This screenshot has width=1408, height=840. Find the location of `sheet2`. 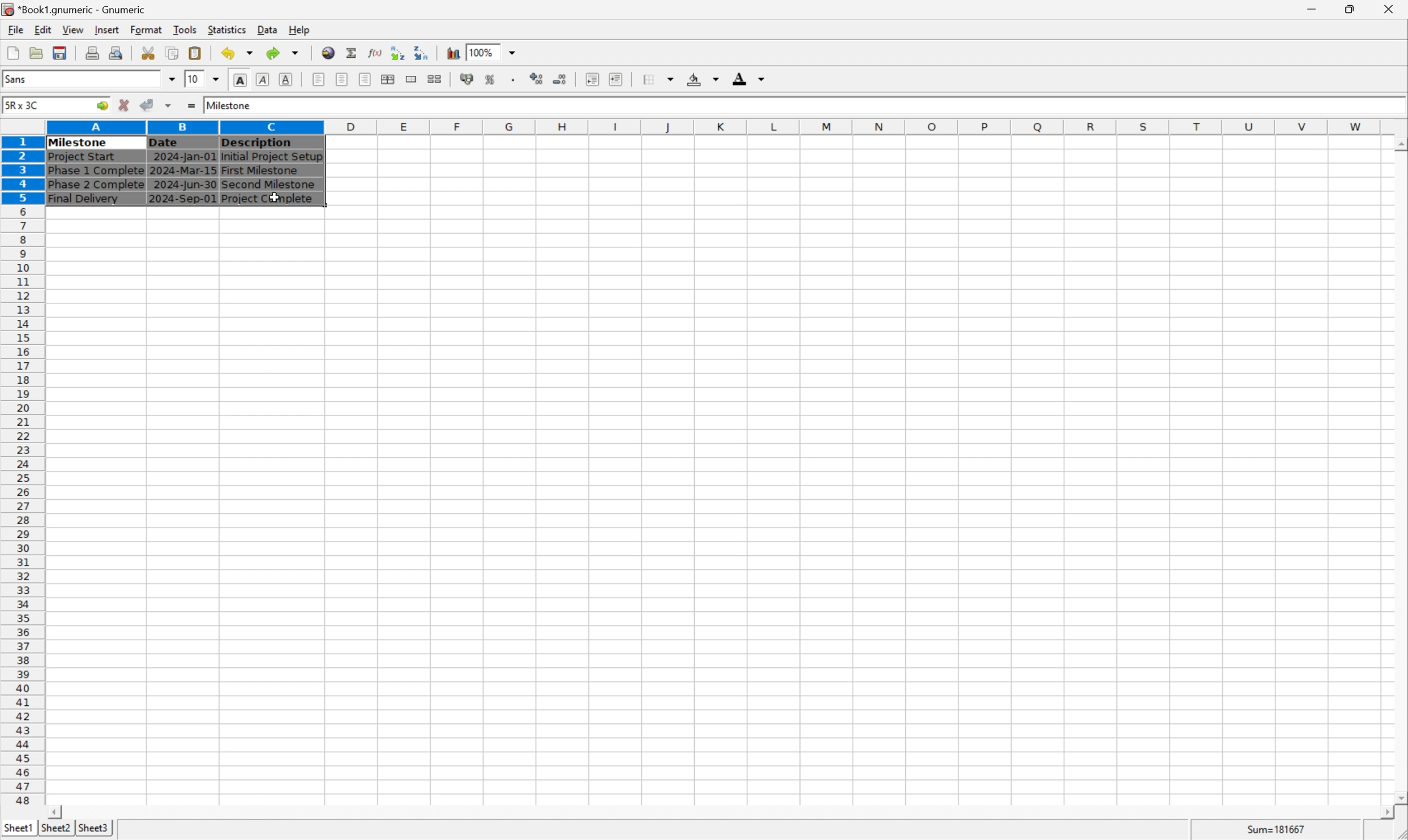

sheet2 is located at coordinates (53, 830).